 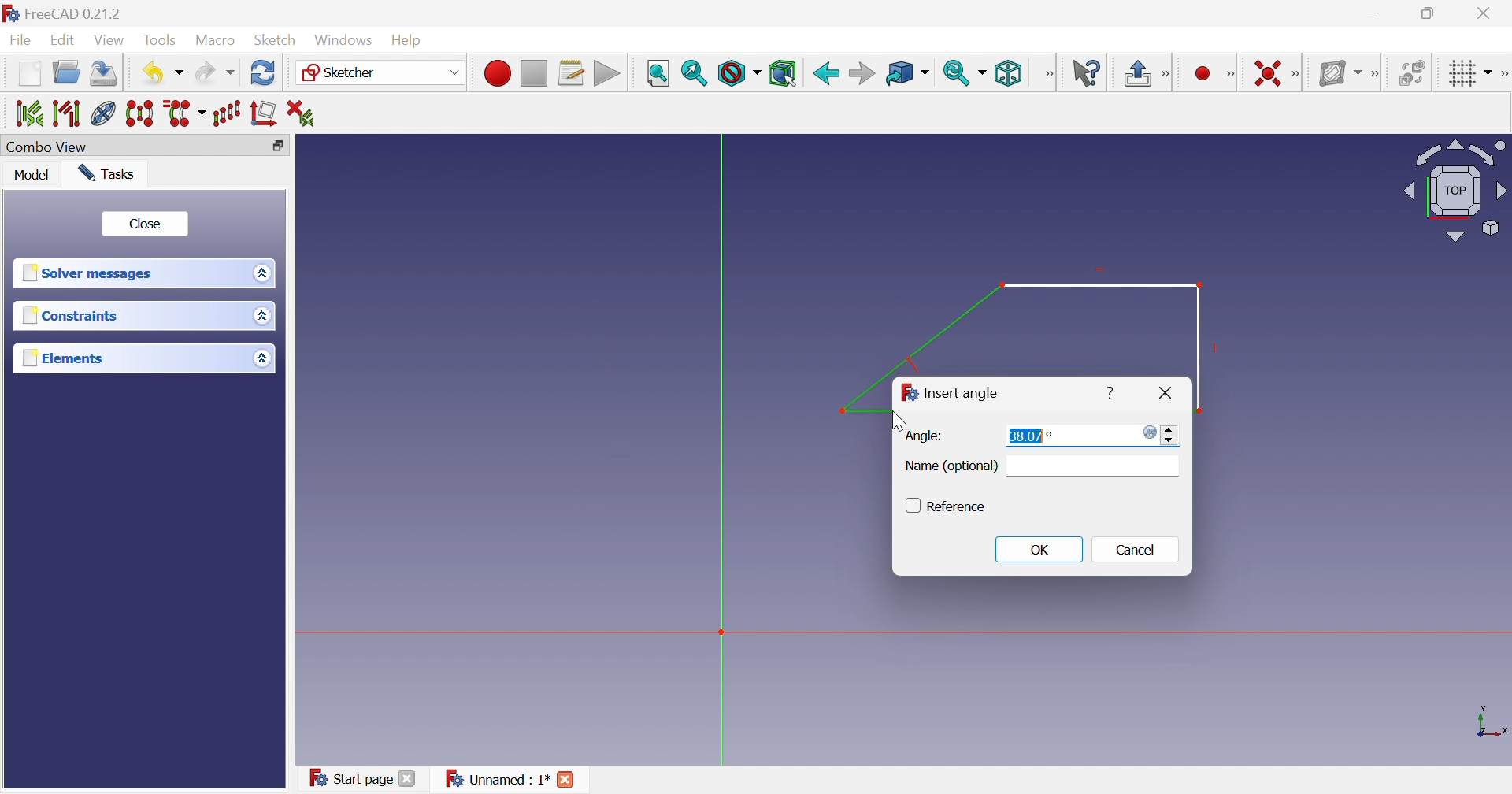 What do you see at coordinates (65, 113) in the screenshot?
I see `Select associated geometry` at bounding box center [65, 113].